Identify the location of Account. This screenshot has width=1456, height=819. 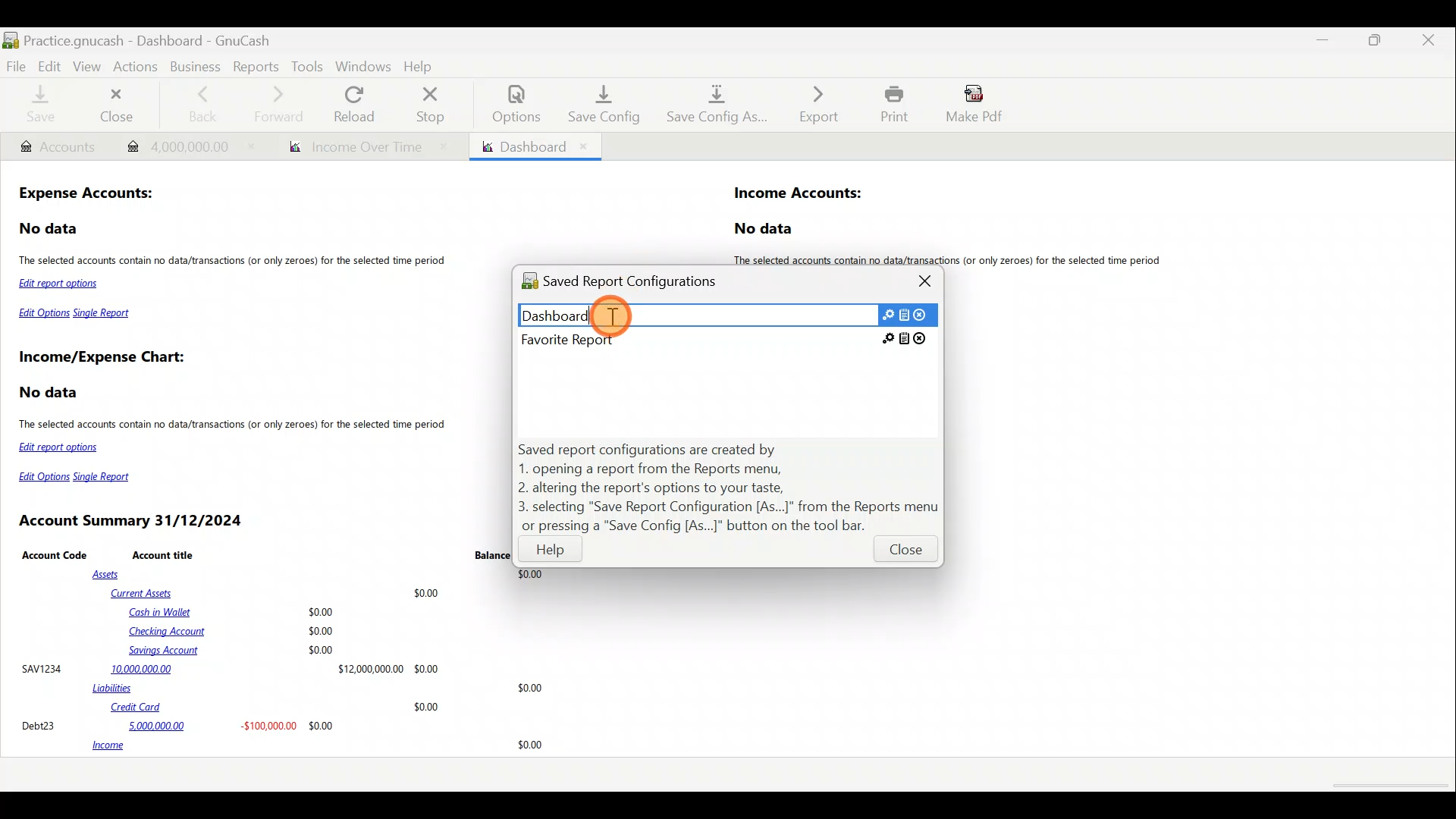
(57, 147).